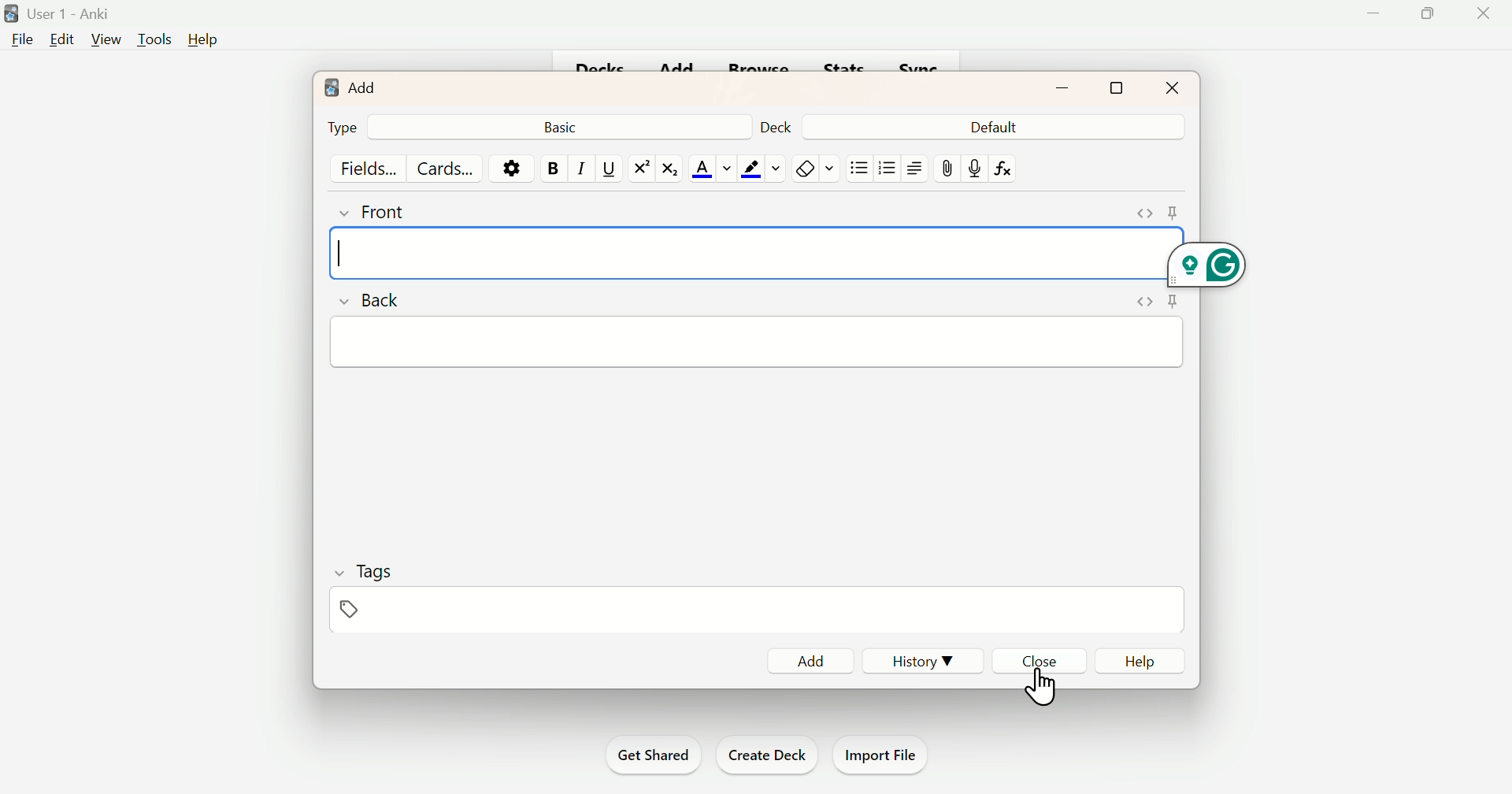 This screenshot has height=794, width=1512. Describe the element at coordinates (372, 169) in the screenshot. I see `Fields...` at that location.